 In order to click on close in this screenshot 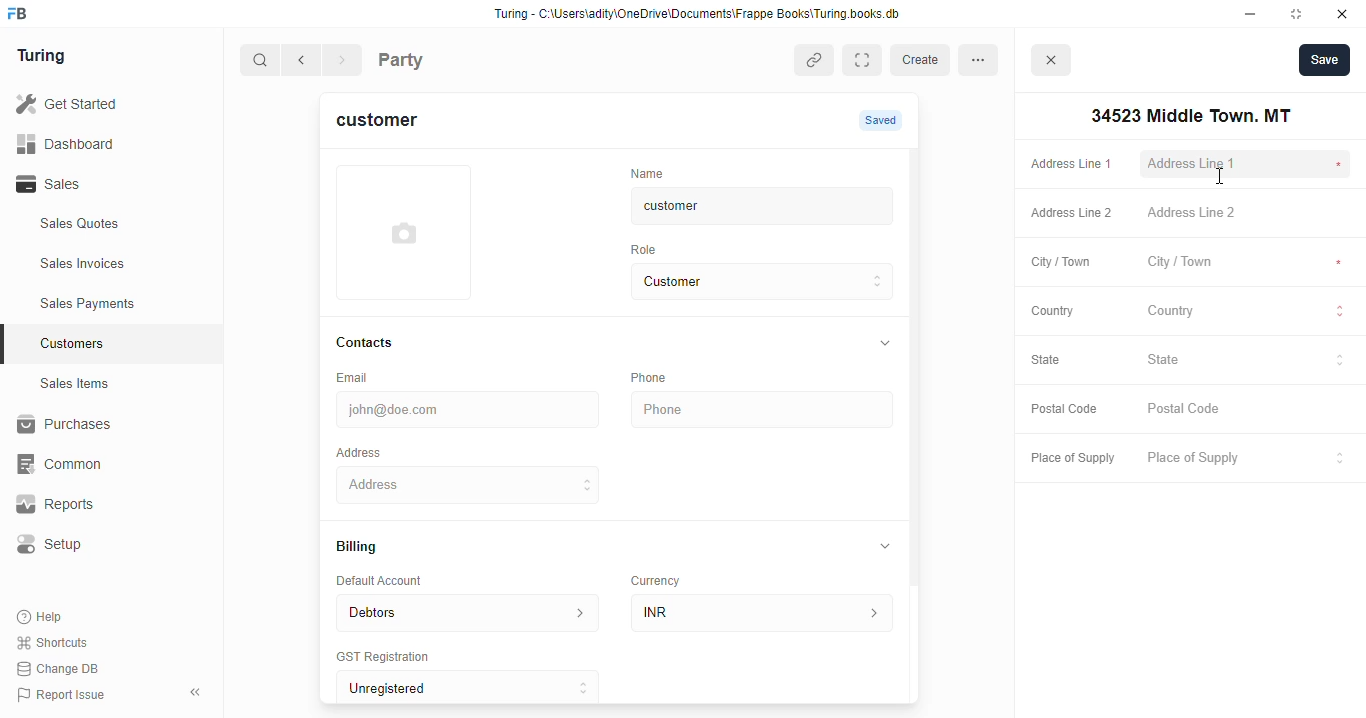, I will do `click(1345, 14)`.